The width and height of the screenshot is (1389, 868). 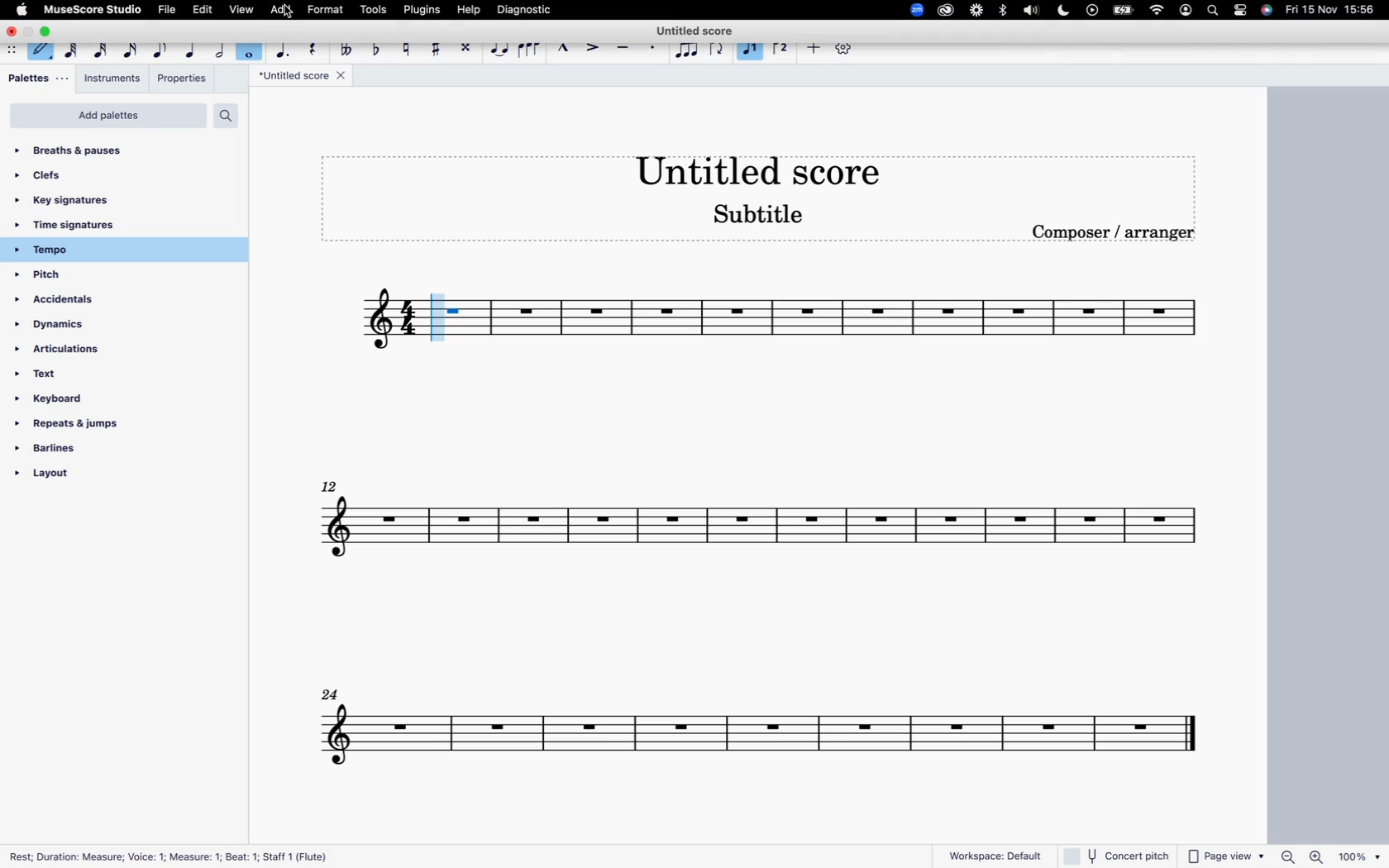 I want to click on keyboard, so click(x=83, y=400).